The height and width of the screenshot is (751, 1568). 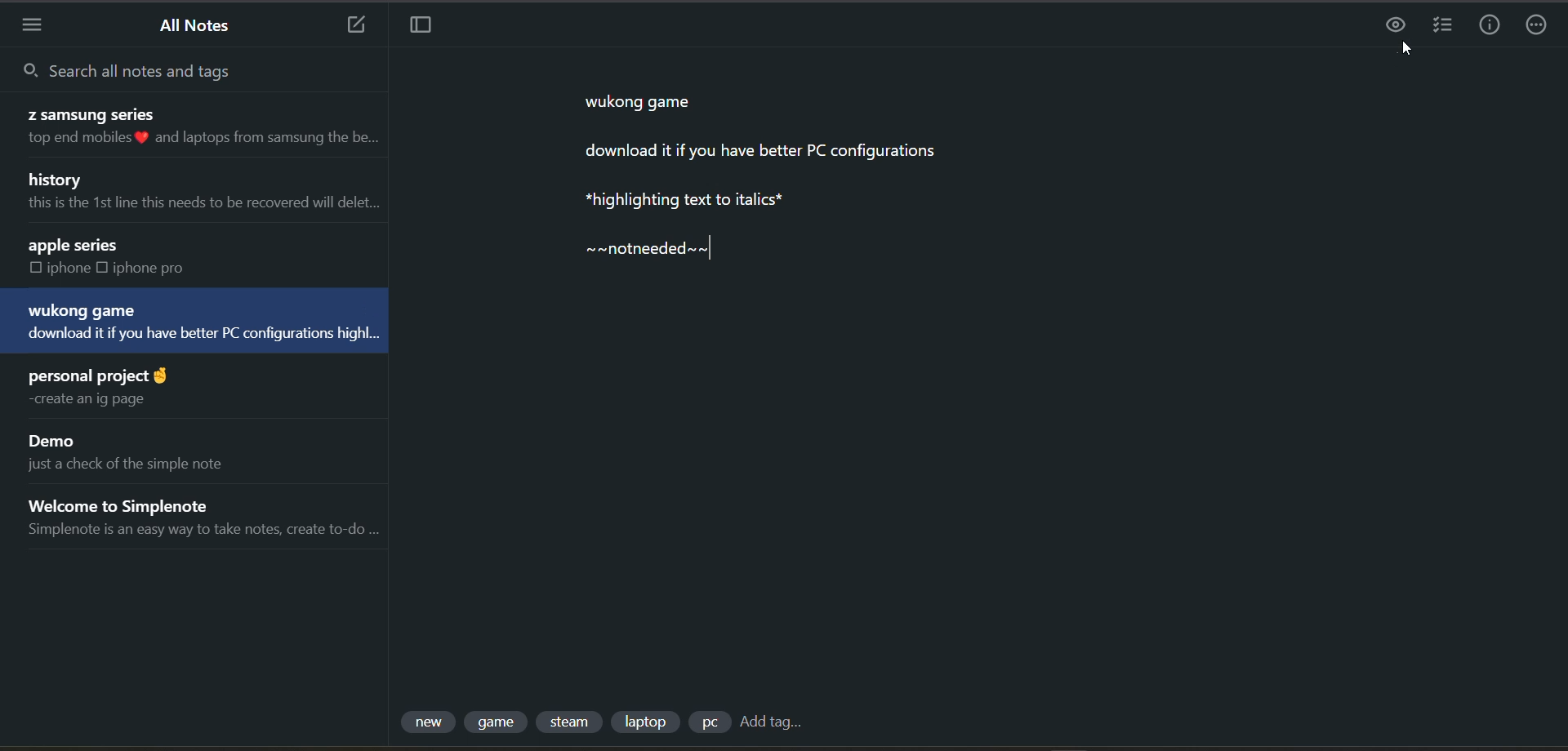 I want to click on note title and preview, so click(x=198, y=187).